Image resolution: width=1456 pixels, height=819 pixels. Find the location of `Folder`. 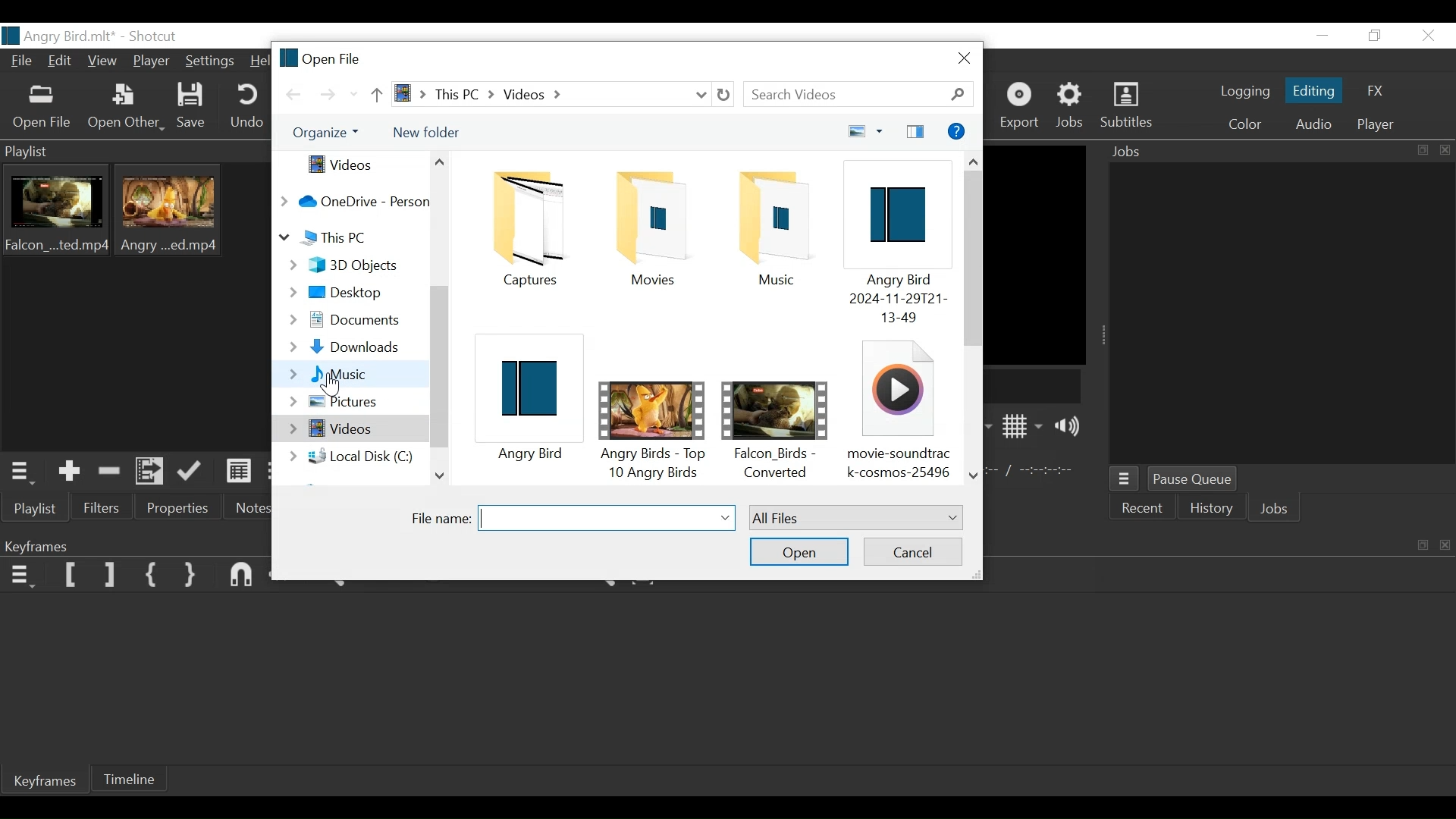

Folder is located at coordinates (654, 226).